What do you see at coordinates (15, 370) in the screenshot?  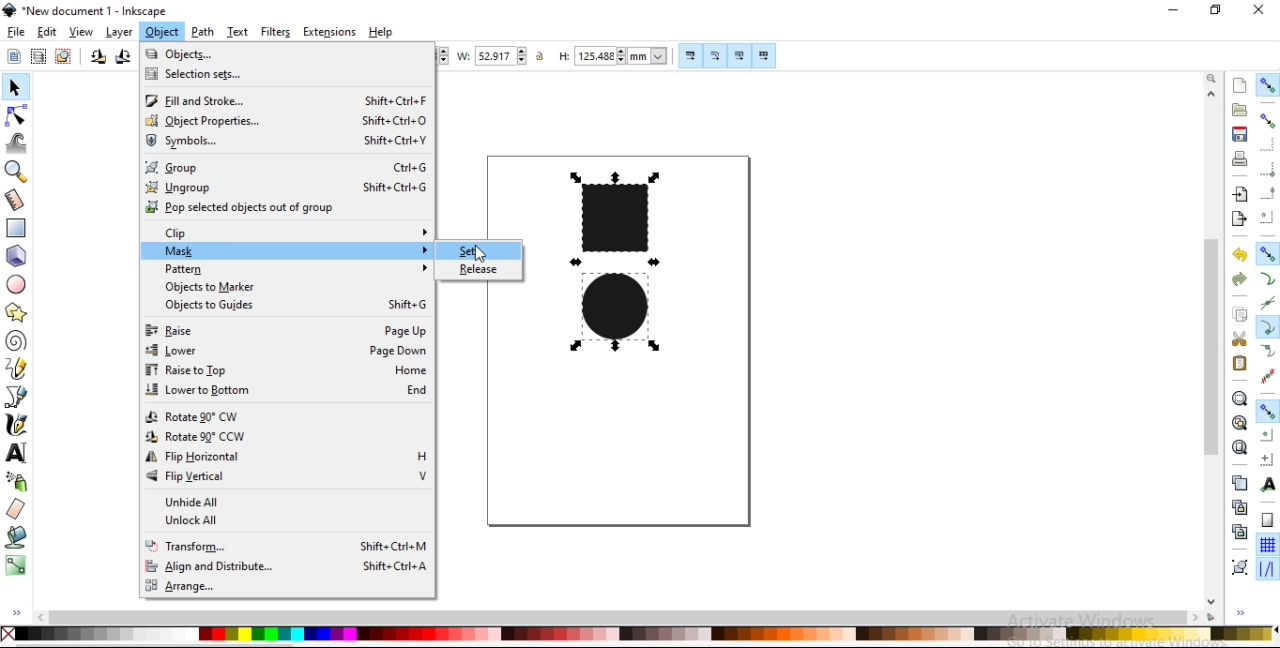 I see `draw freehand lines` at bounding box center [15, 370].